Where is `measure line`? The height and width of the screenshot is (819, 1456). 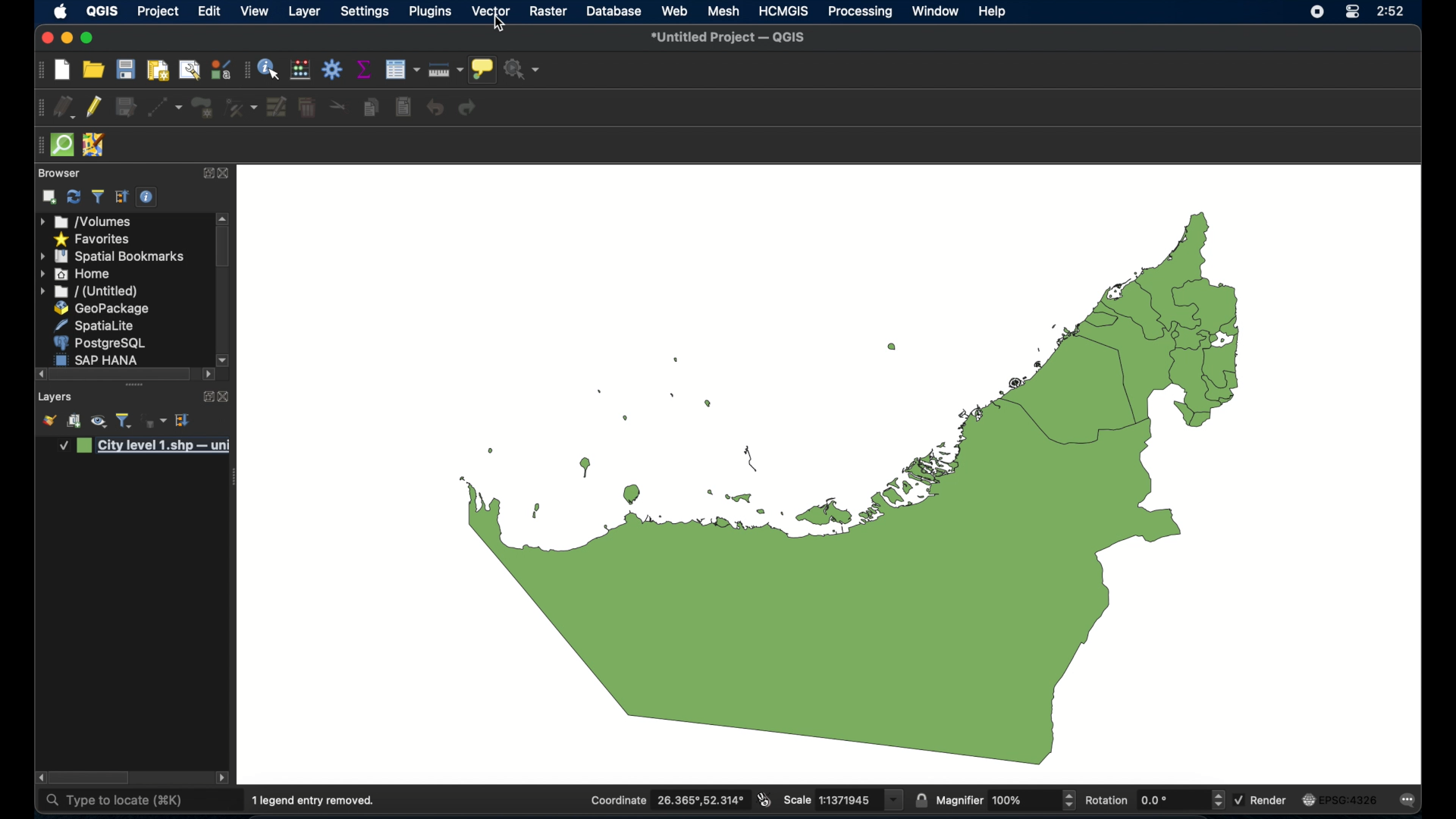
measure line is located at coordinates (445, 70).